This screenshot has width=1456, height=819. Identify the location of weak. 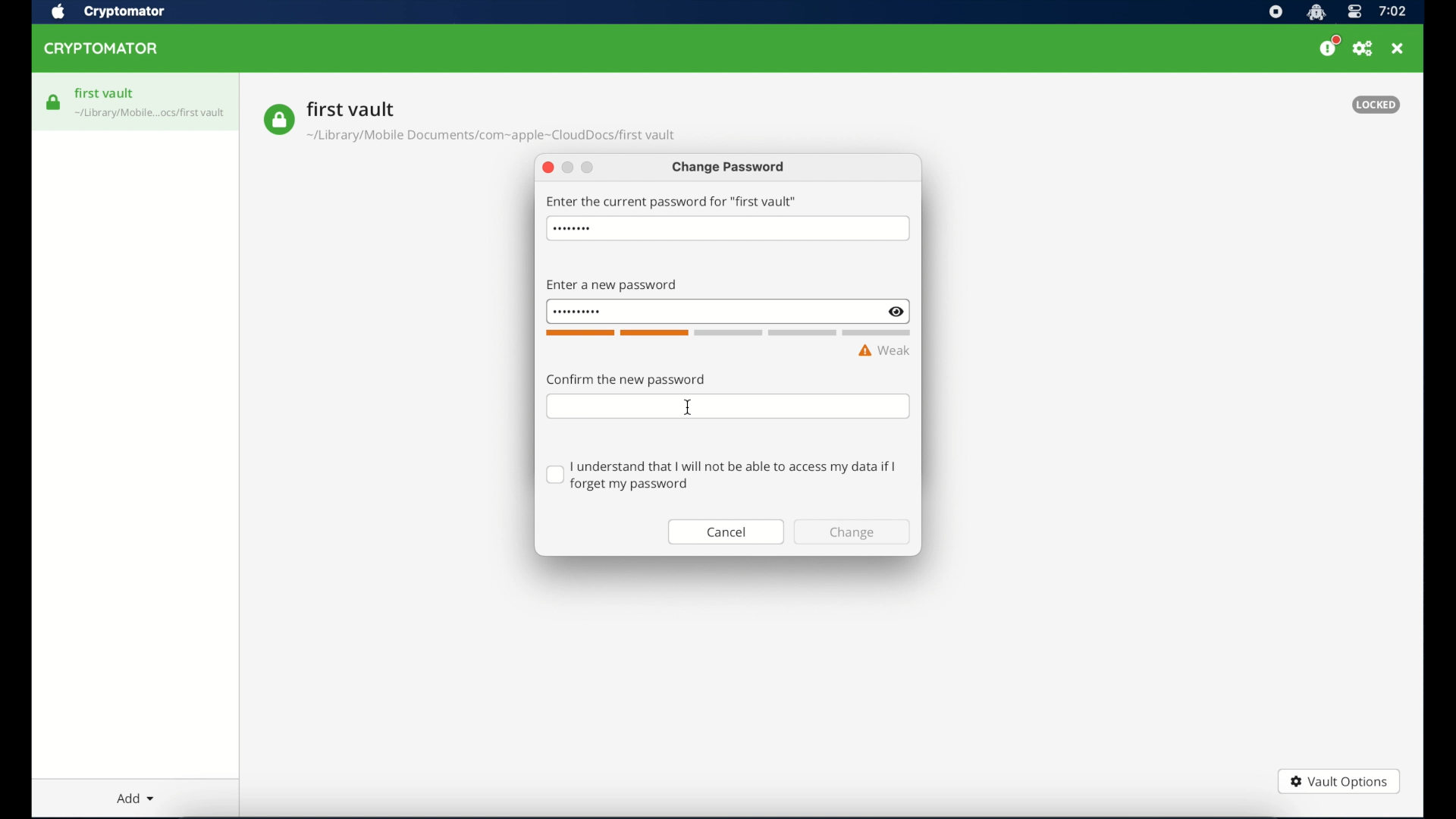
(884, 351).